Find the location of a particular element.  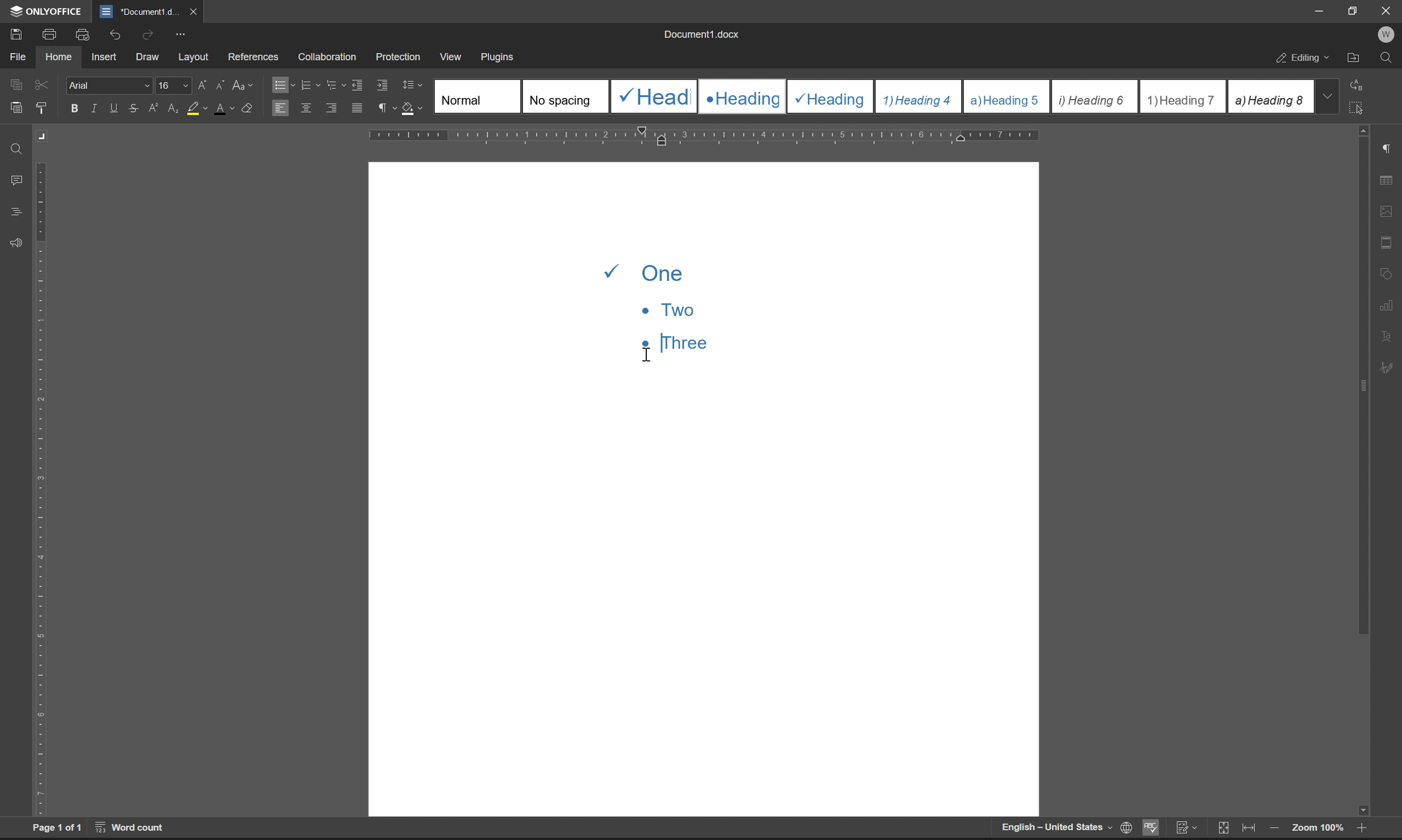

shape settings is located at coordinates (1386, 271).